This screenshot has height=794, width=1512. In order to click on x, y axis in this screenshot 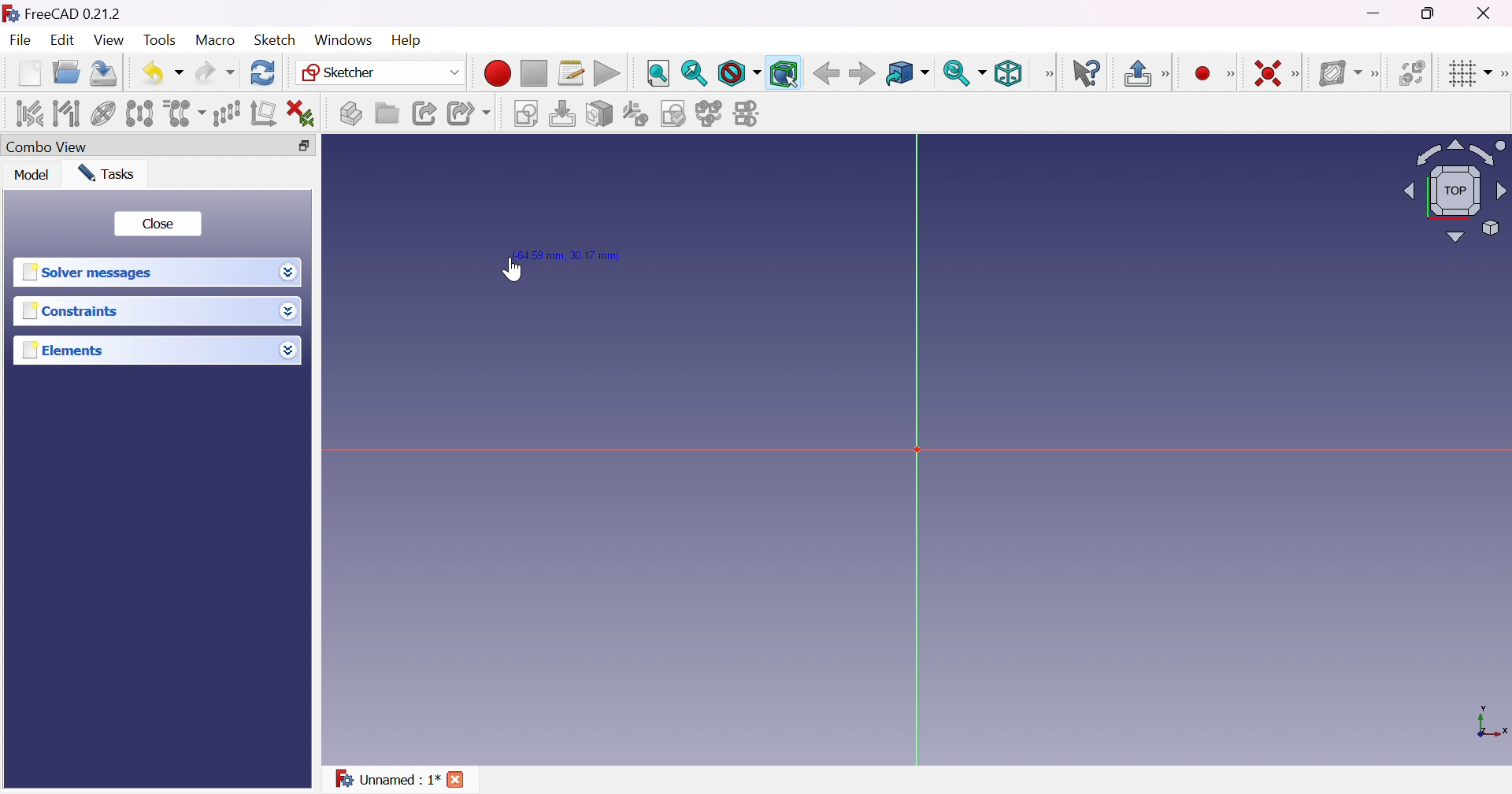, I will do `click(1489, 723)`.